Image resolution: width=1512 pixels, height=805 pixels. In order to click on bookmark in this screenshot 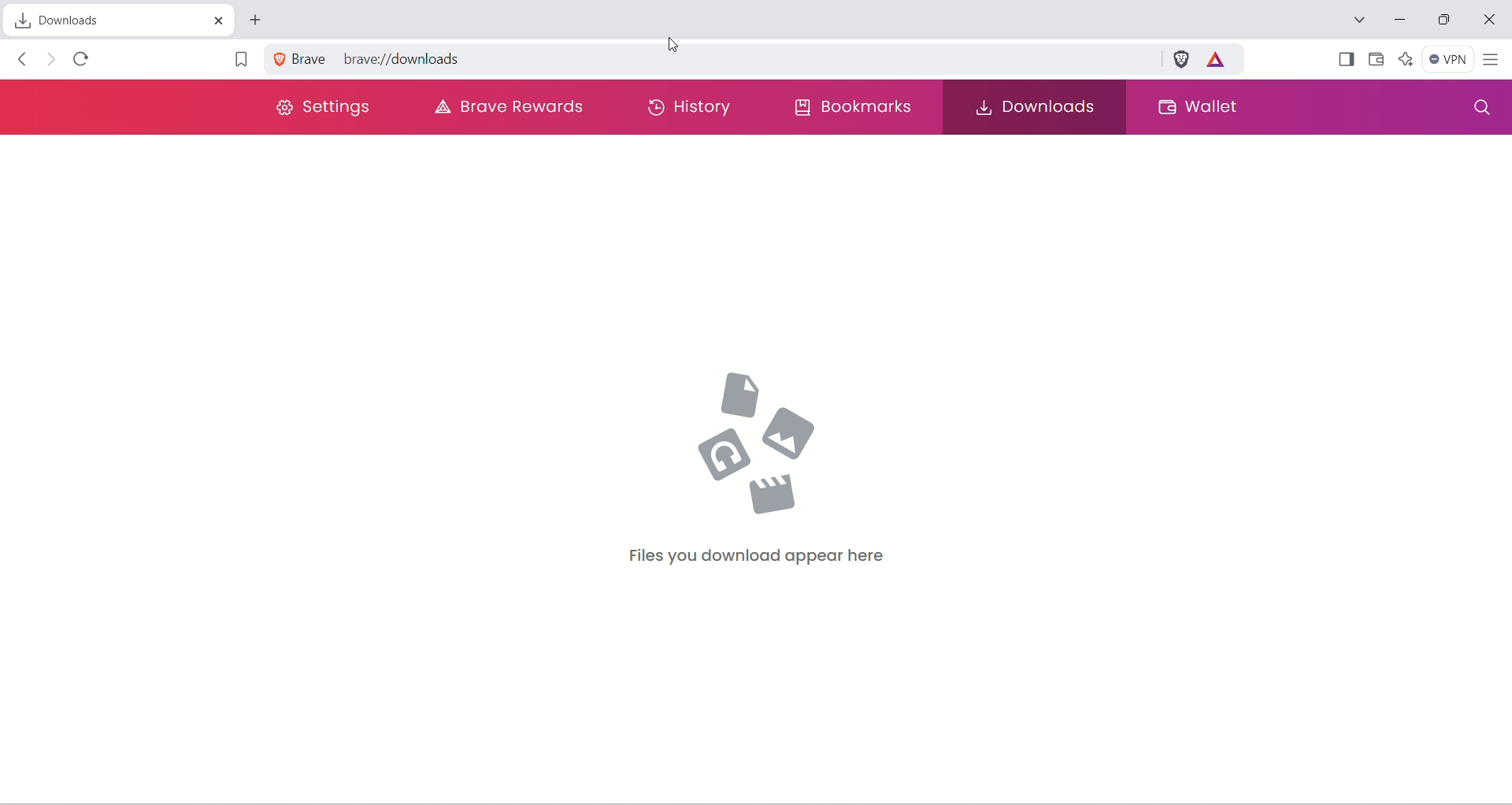, I will do `click(239, 62)`.